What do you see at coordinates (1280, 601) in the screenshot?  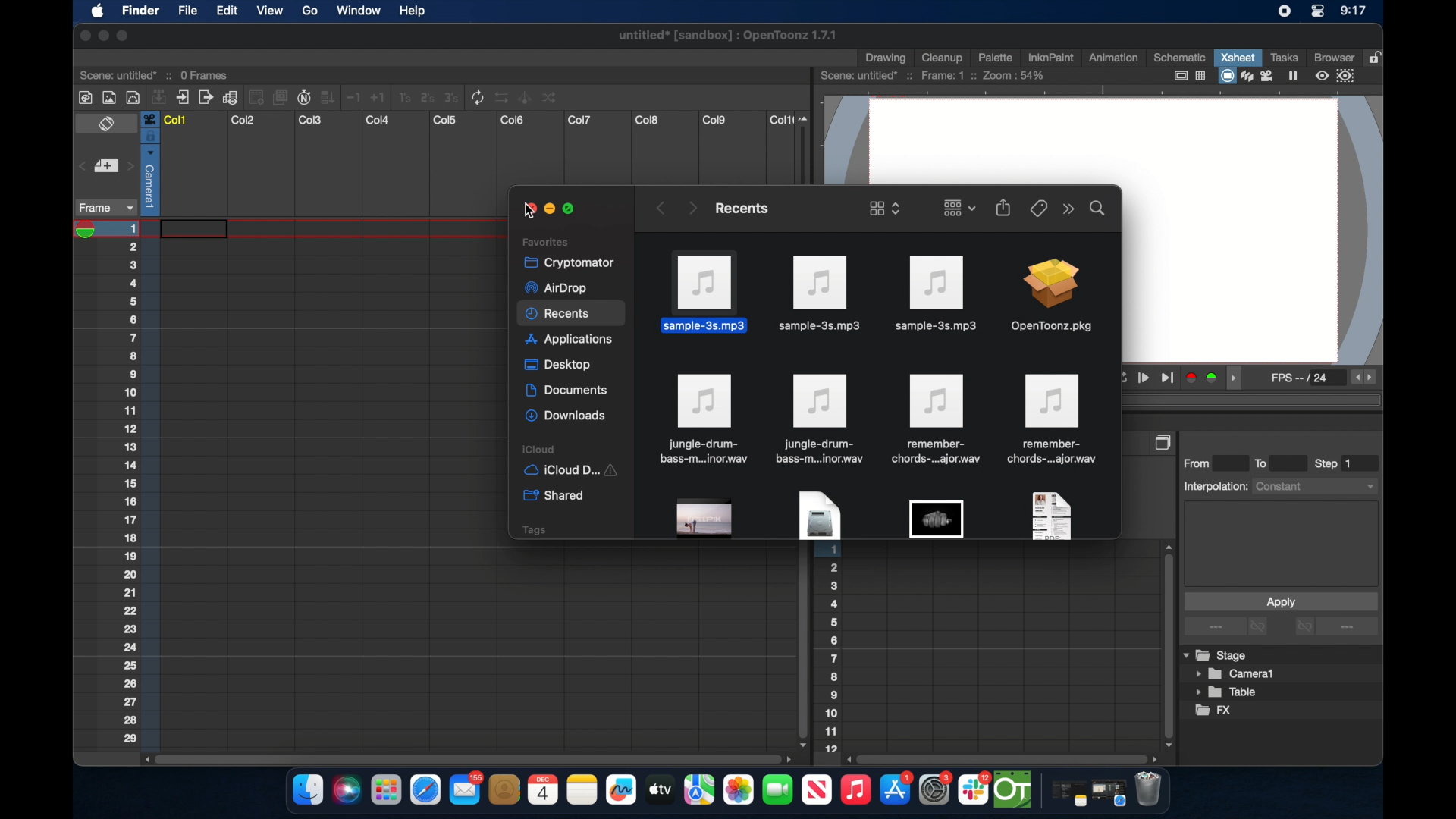 I see `apply` at bounding box center [1280, 601].